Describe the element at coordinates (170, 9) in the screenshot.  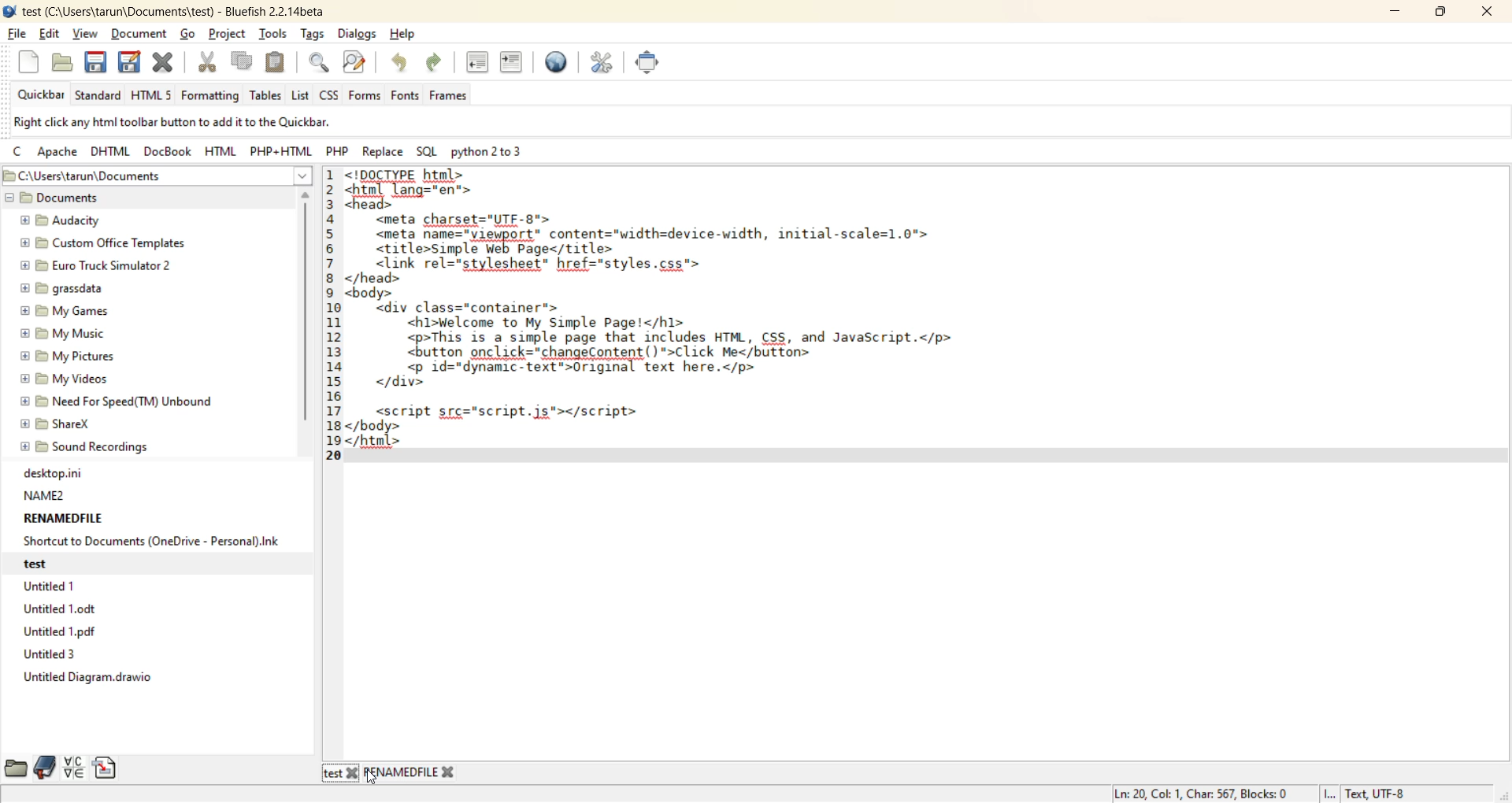
I see `file name and app name` at that location.